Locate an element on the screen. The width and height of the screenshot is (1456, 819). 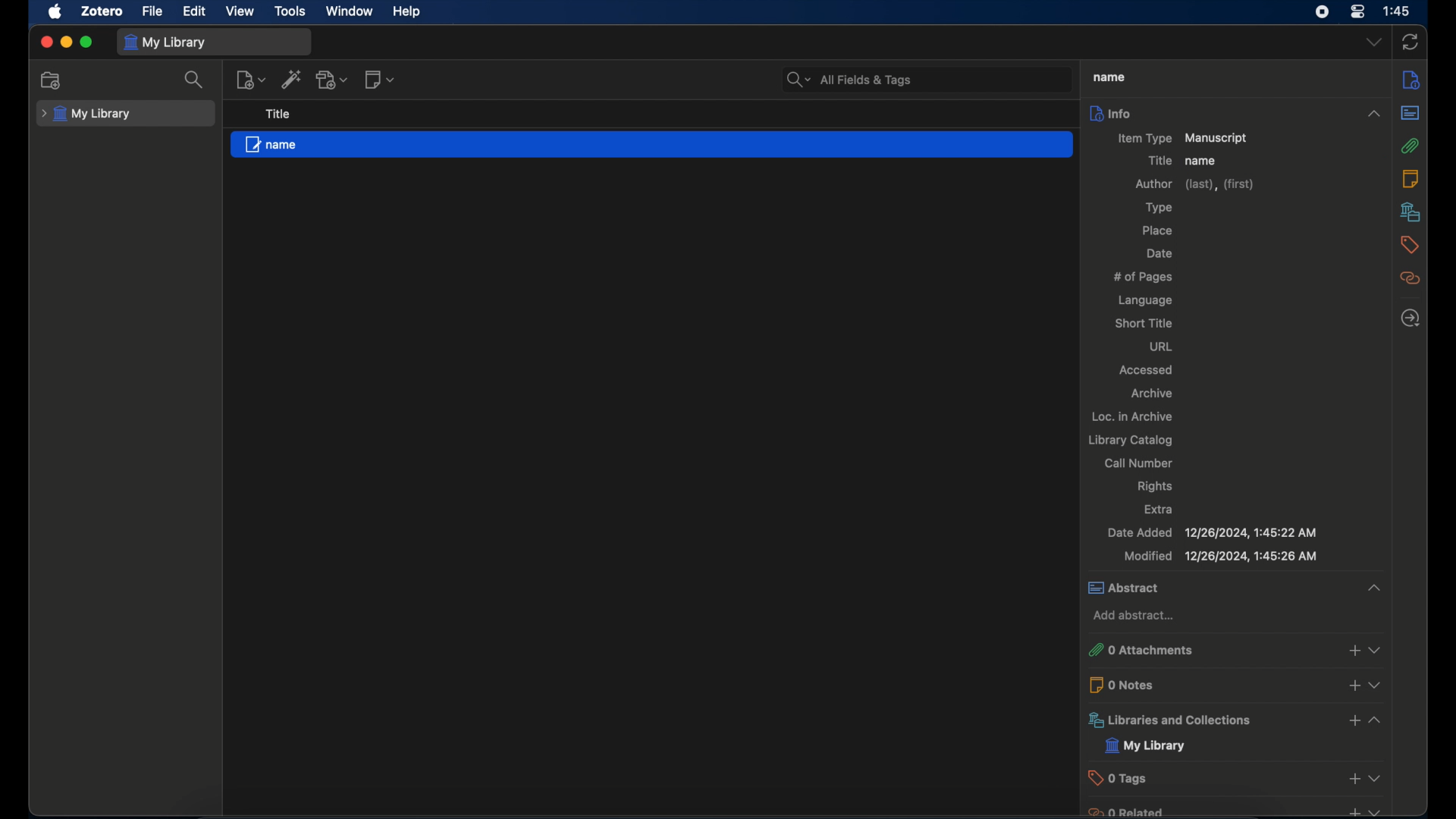
search is located at coordinates (195, 79).